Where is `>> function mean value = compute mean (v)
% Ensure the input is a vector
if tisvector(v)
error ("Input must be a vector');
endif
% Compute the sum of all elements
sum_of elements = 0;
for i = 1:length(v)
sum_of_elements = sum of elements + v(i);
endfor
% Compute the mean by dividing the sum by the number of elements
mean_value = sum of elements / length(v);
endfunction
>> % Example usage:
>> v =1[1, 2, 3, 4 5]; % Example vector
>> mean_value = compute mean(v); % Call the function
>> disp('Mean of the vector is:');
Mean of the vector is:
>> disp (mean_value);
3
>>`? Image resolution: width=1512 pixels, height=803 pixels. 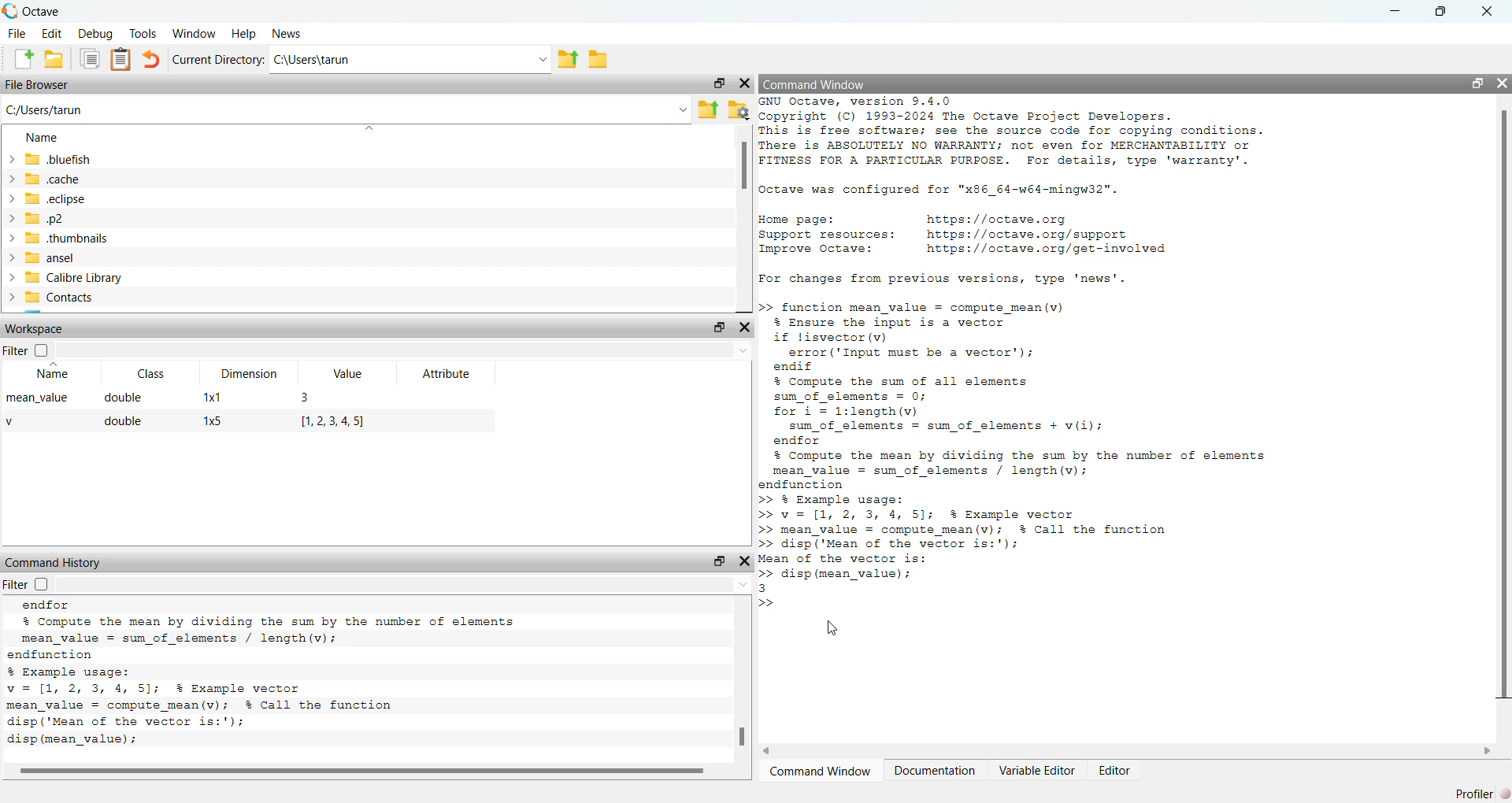 >> function mean value = compute mean (v)
% Ensure the input is a vector
if tisvector(v)
error ("Input must be a vector');
endif
% Compute the sum of all elements
sum_of elements = 0;
for i = 1:length(v)
sum_of_elements = sum of elements + v(i);
endfor
% Compute the mean by dividing the sum by the number of elements
mean_value = sum of elements / length(v);
endfunction
>> % Example usage:
>> v =1[1, 2, 3, 4 5]; % Example vector
>> mean_value = compute mean(v); % Call the function
>> disp('Mean of the vector is:');
Mean of the vector is:
>> disp (mean_value);
3
>> is located at coordinates (1014, 455).